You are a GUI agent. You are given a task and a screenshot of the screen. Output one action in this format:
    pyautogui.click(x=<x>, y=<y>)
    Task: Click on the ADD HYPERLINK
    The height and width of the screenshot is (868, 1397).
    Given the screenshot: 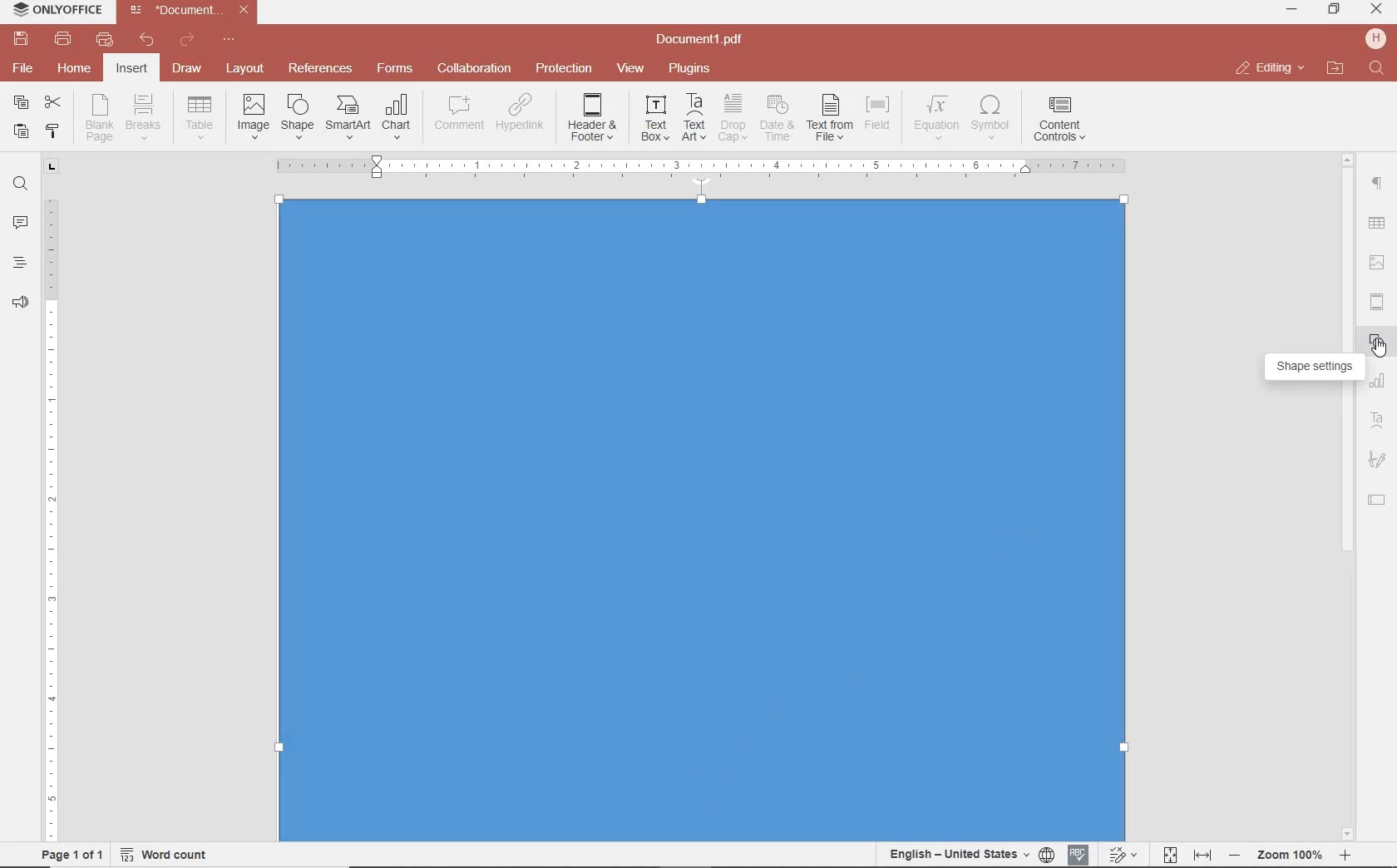 What is the action you would take?
    pyautogui.click(x=521, y=116)
    